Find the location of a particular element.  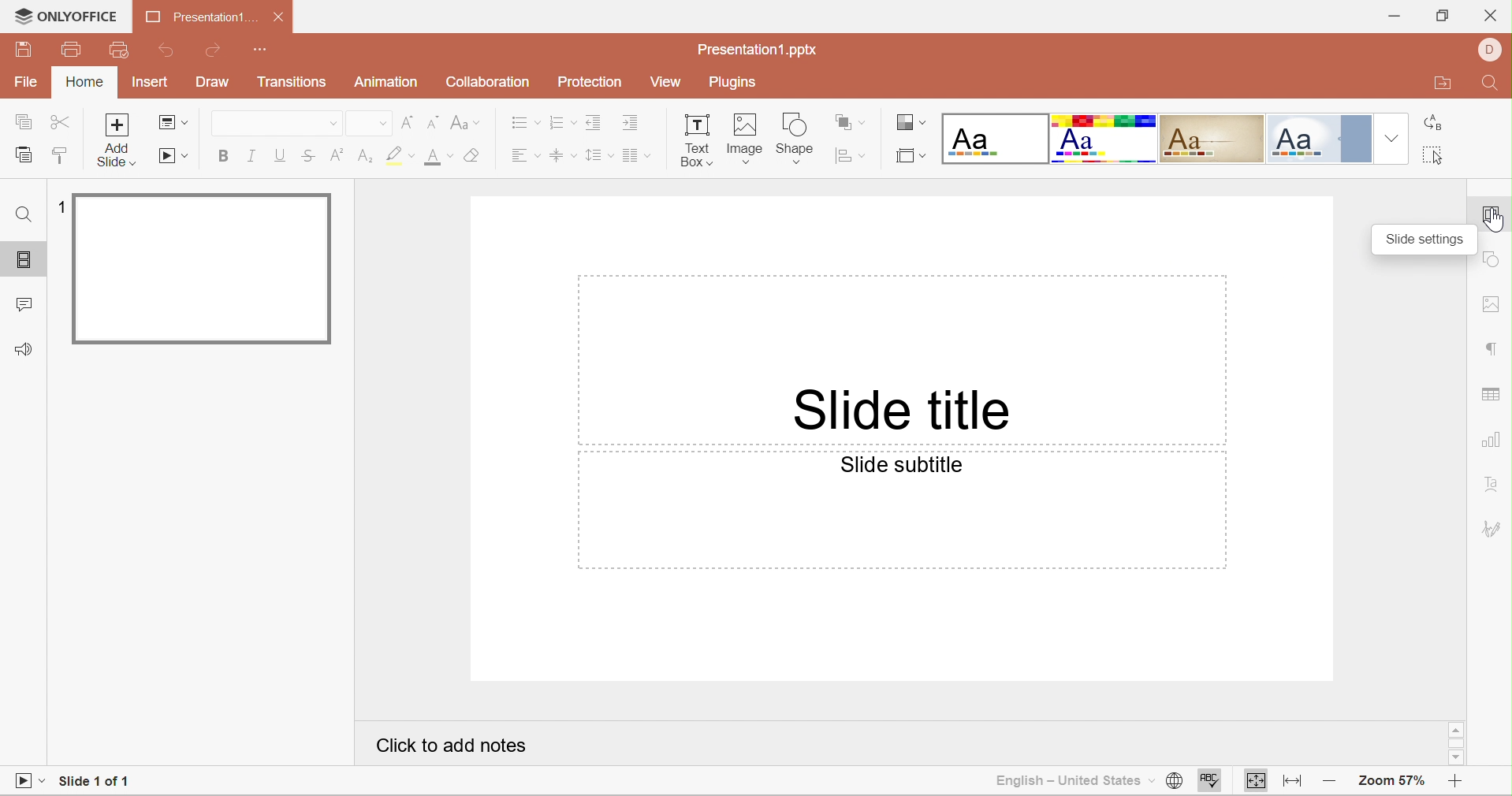

Numbering is located at coordinates (563, 124).